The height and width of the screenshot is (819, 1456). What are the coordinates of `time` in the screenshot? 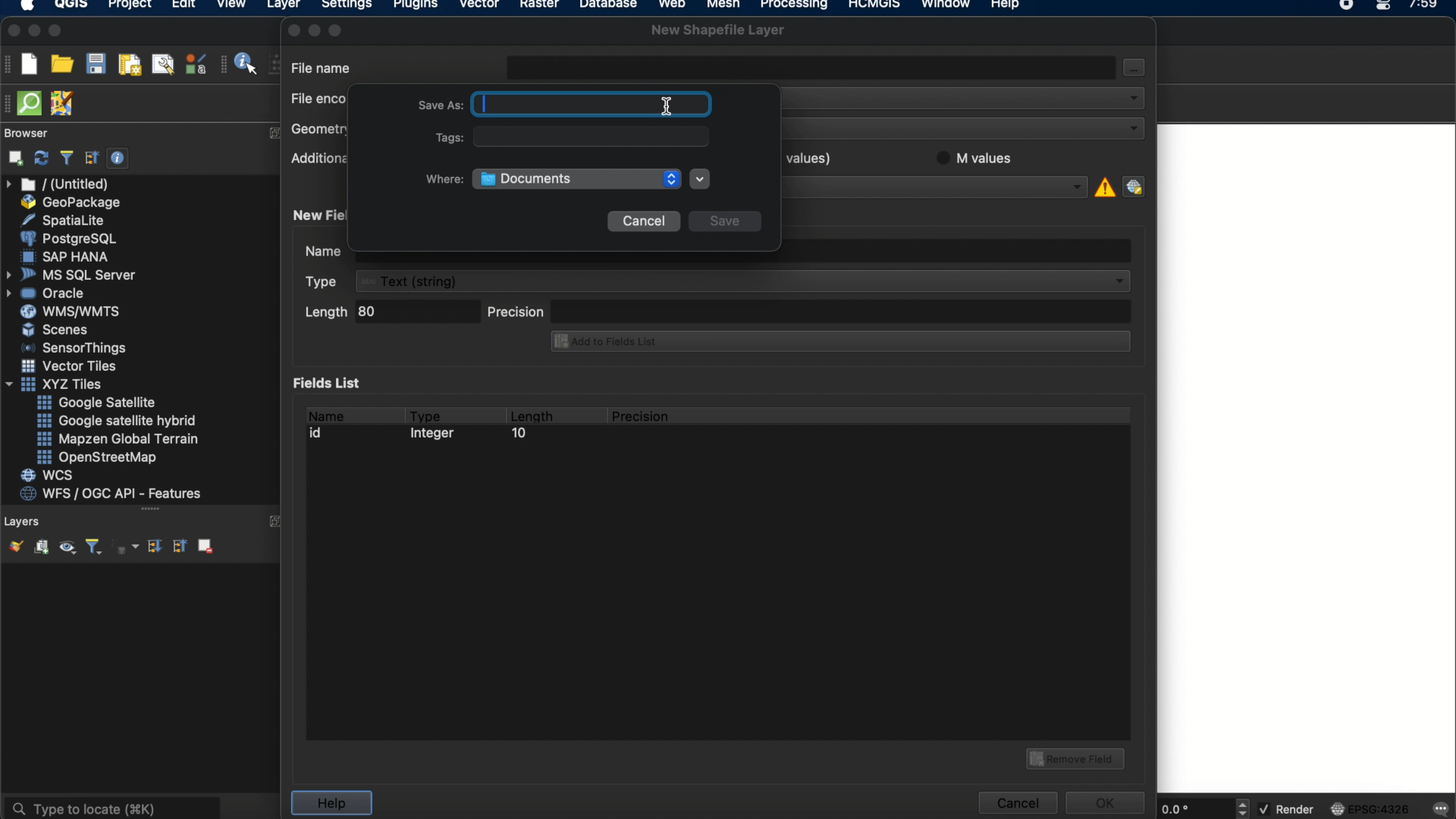 It's located at (1425, 9).